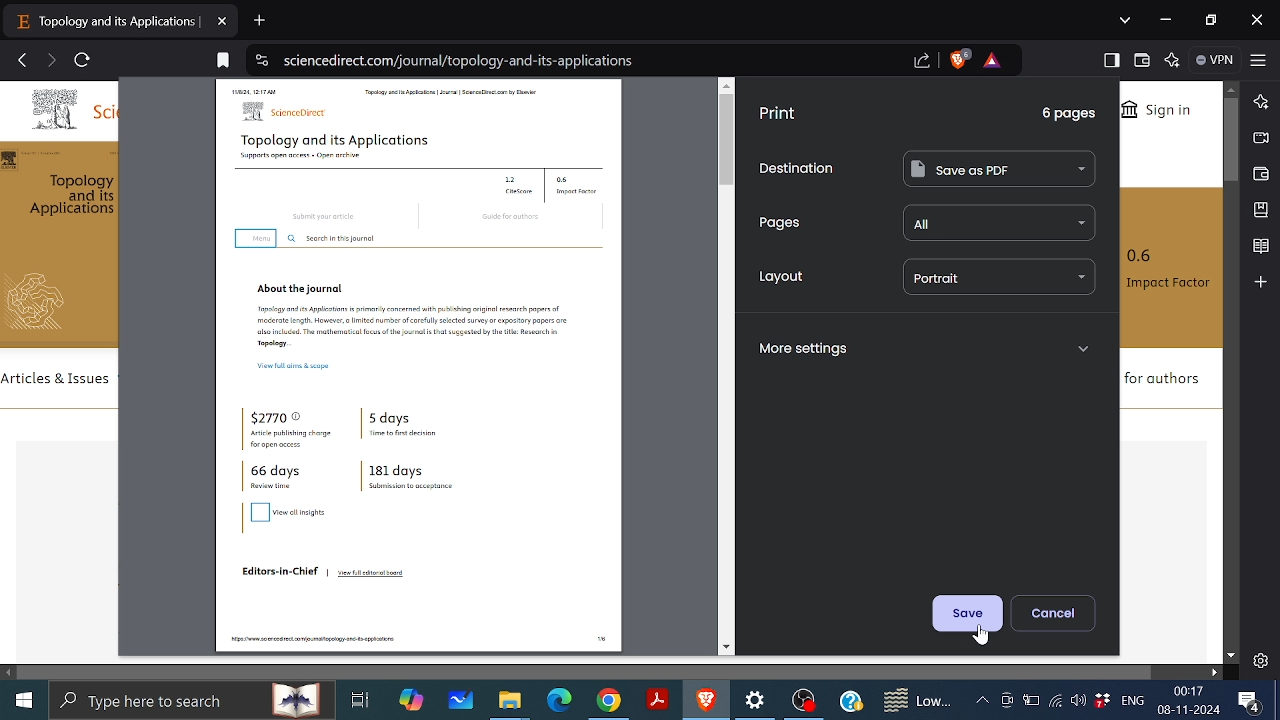 This screenshot has height=720, width=1280. What do you see at coordinates (1112, 60) in the screenshot?
I see `Show sidebar` at bounding box center [1112, 60].